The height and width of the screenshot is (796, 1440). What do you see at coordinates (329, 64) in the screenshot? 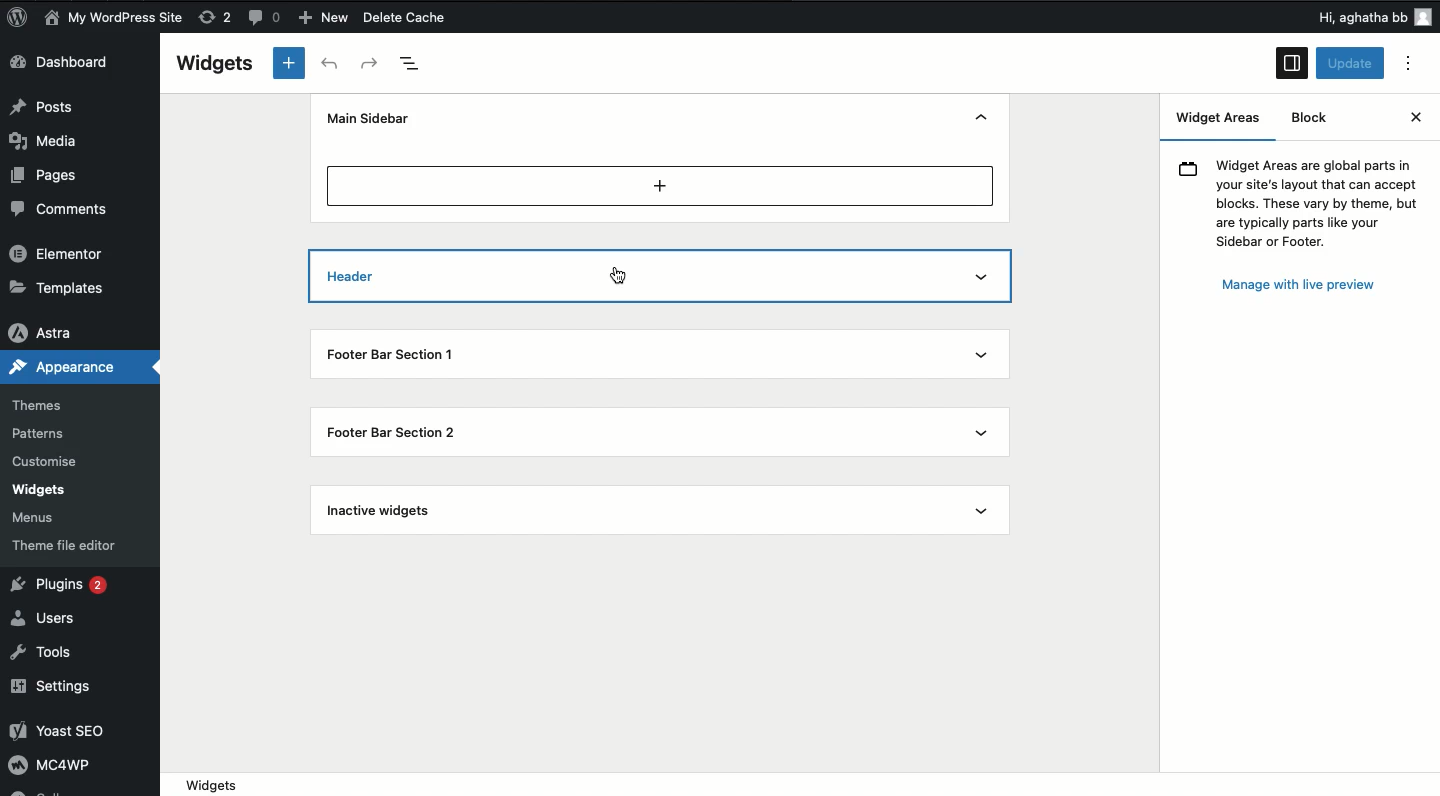
I see `Undo` at bounding box center [329, 64].